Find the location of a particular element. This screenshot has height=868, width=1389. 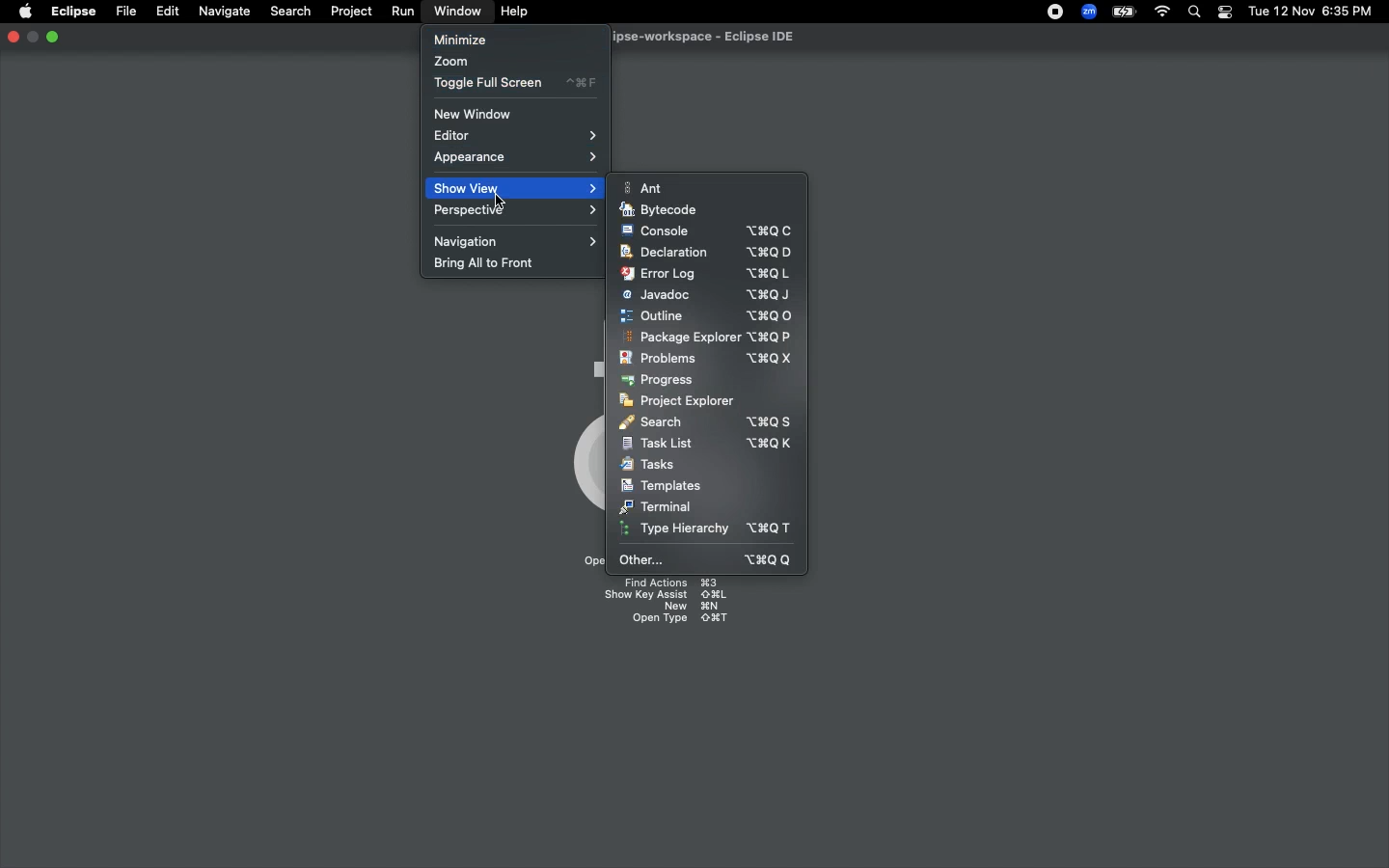

Recording is located at coordinates (1056, 14).